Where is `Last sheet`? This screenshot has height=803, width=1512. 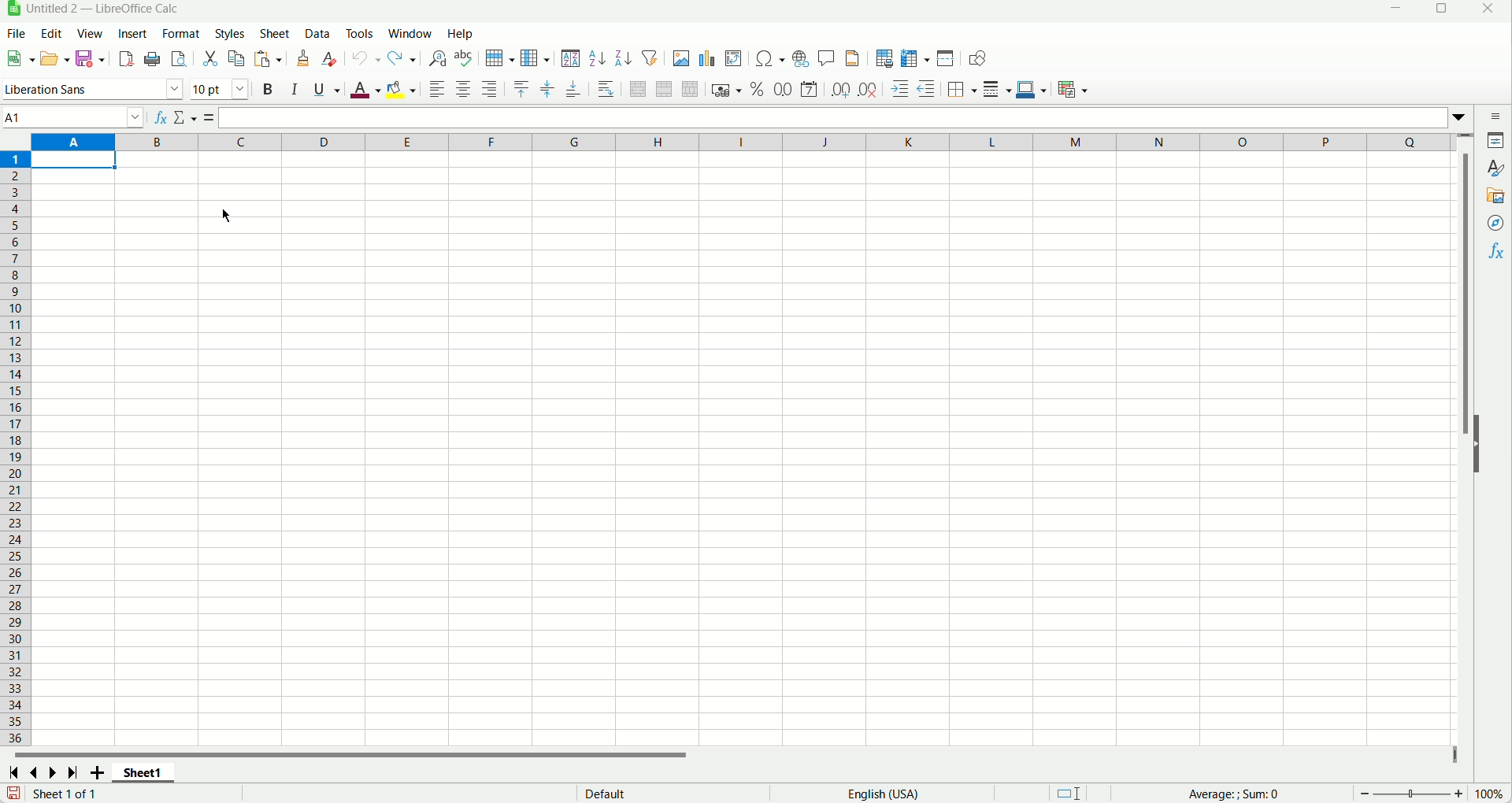
Last sheet is located at coordinates (74, 773).